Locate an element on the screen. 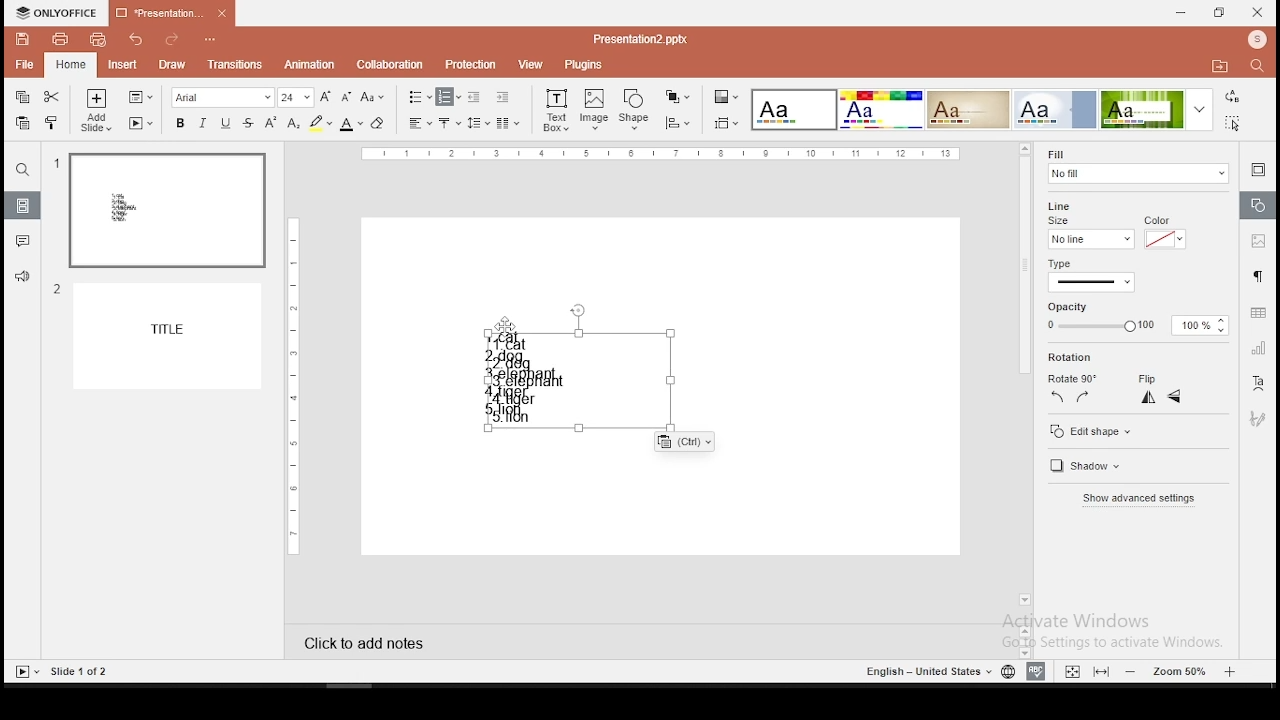 The height and width of the screenshot is (720, 1280). line type is located at coordinates (1092, 282).